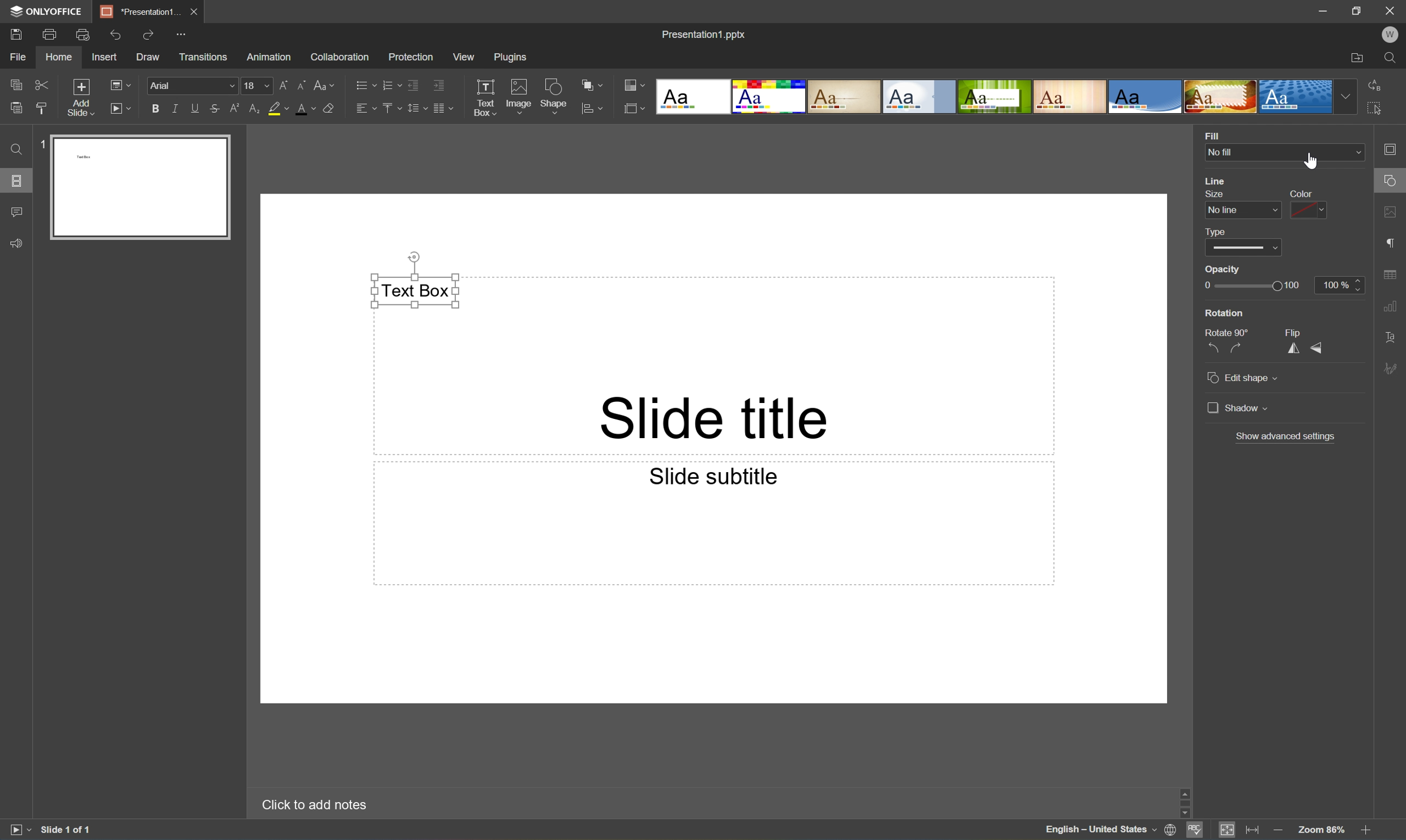  Describe the element at coordinates (1097, 830) in the screenshot. I see `English - United States` at that location.